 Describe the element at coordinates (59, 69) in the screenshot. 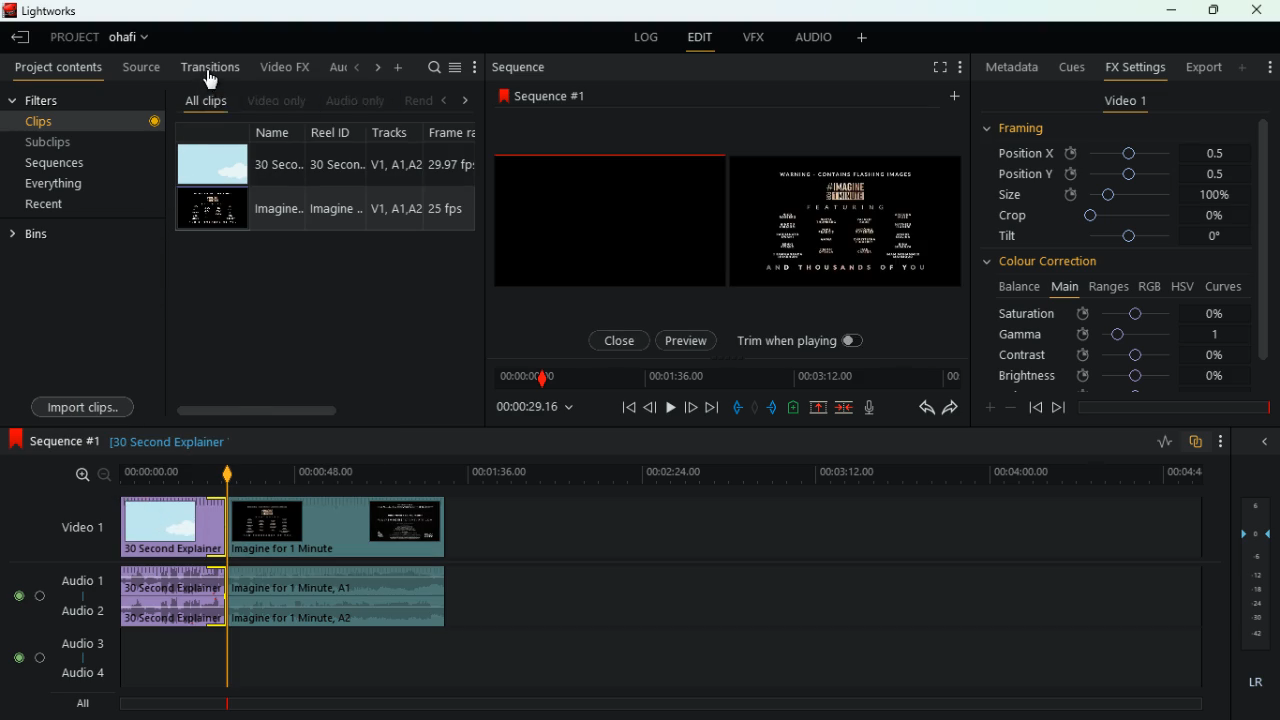

I see `project content` at that location.